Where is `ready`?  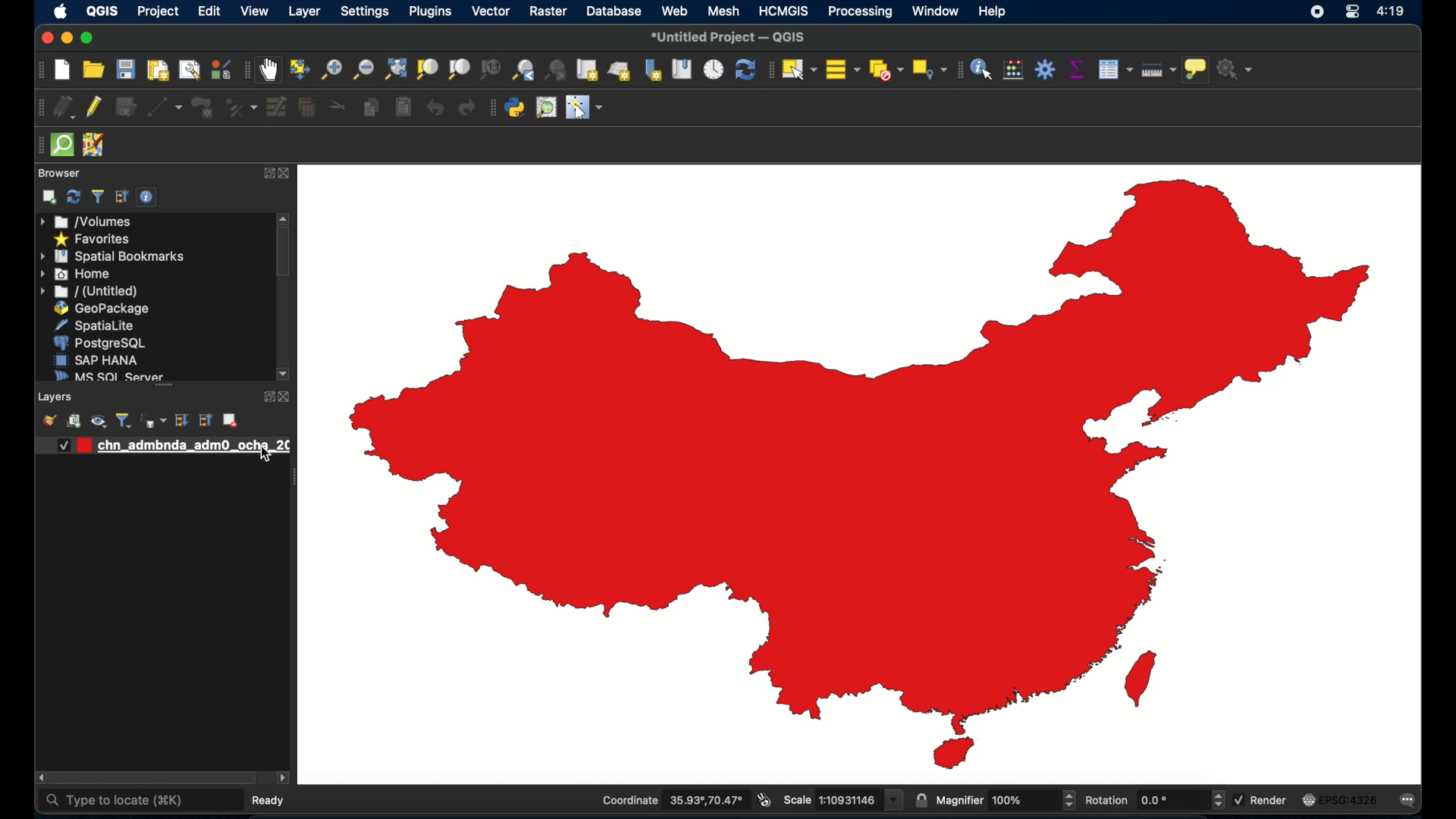
ready is located at coordinates (272, 799).